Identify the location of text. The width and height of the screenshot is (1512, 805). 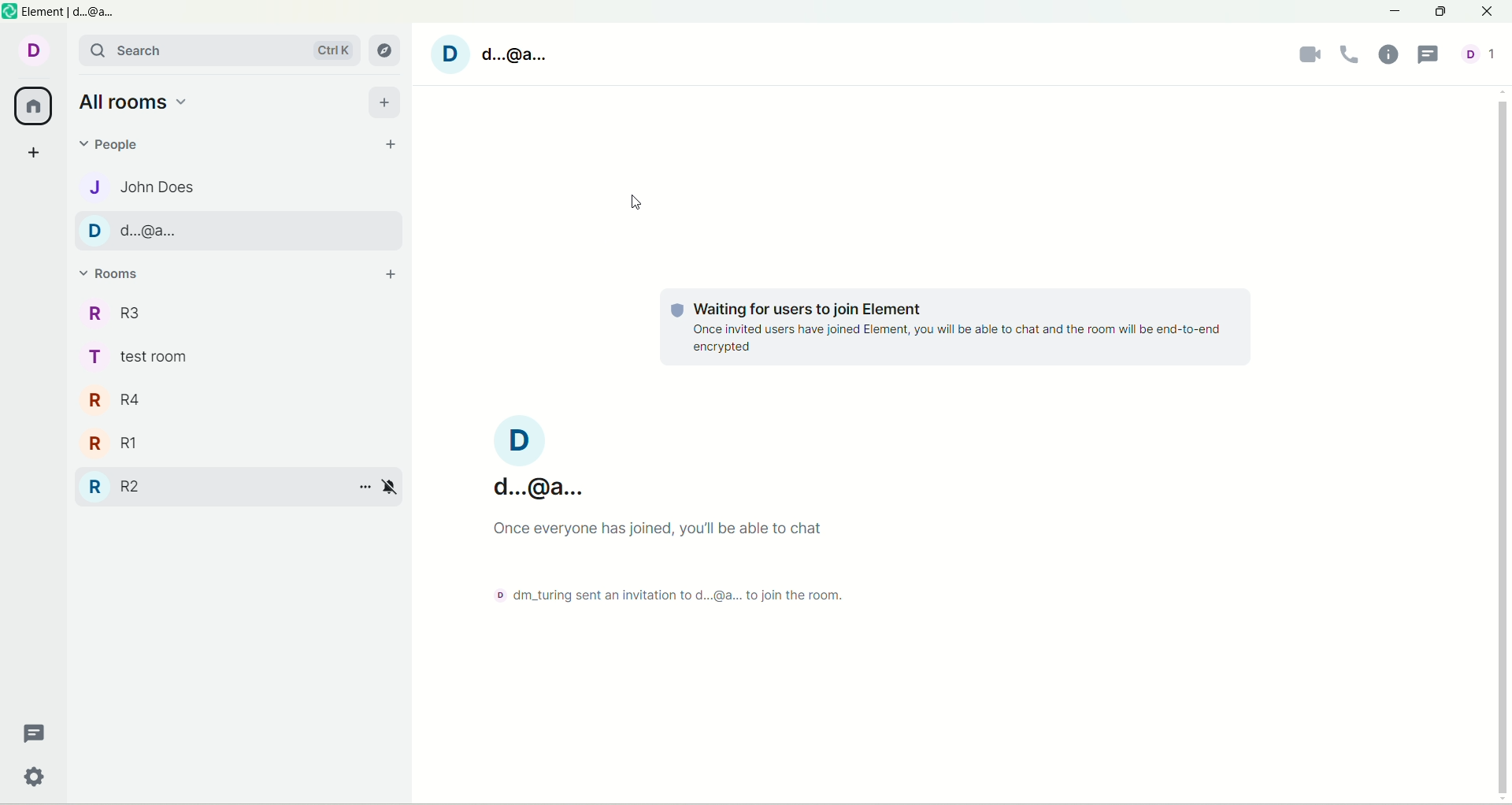
(946, 328).